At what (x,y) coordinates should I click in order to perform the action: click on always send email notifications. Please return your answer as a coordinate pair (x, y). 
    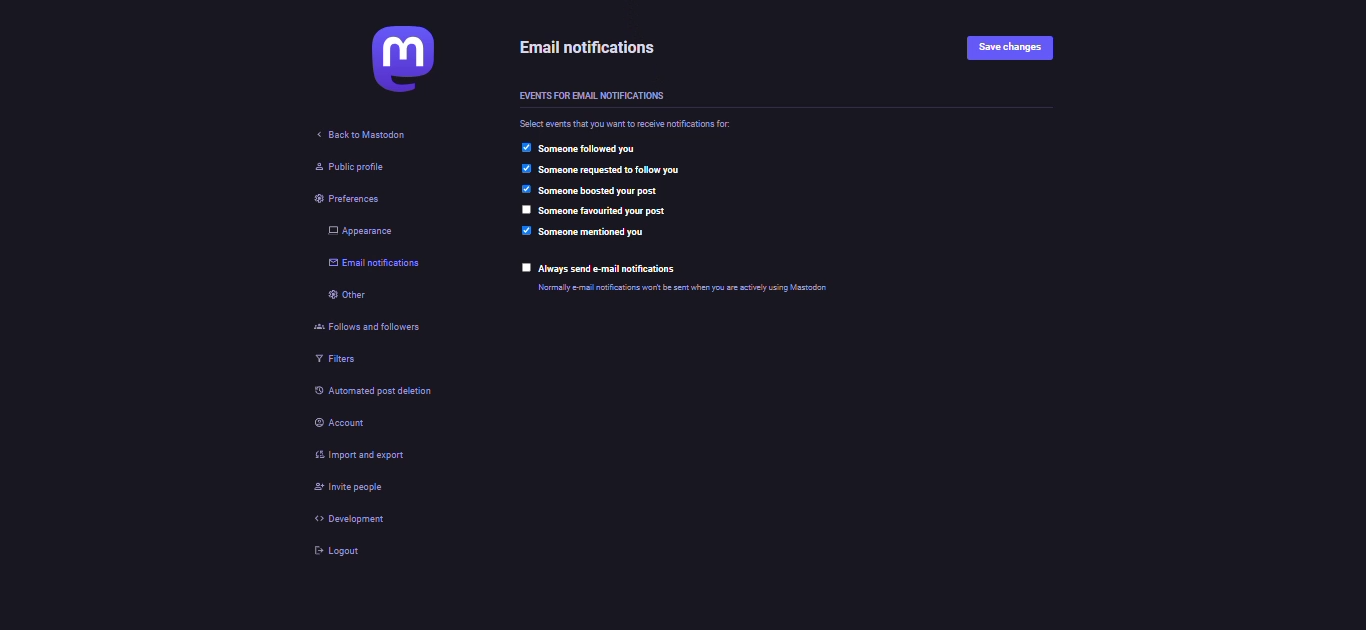
    Looking at the image, I should click on (617, 269).